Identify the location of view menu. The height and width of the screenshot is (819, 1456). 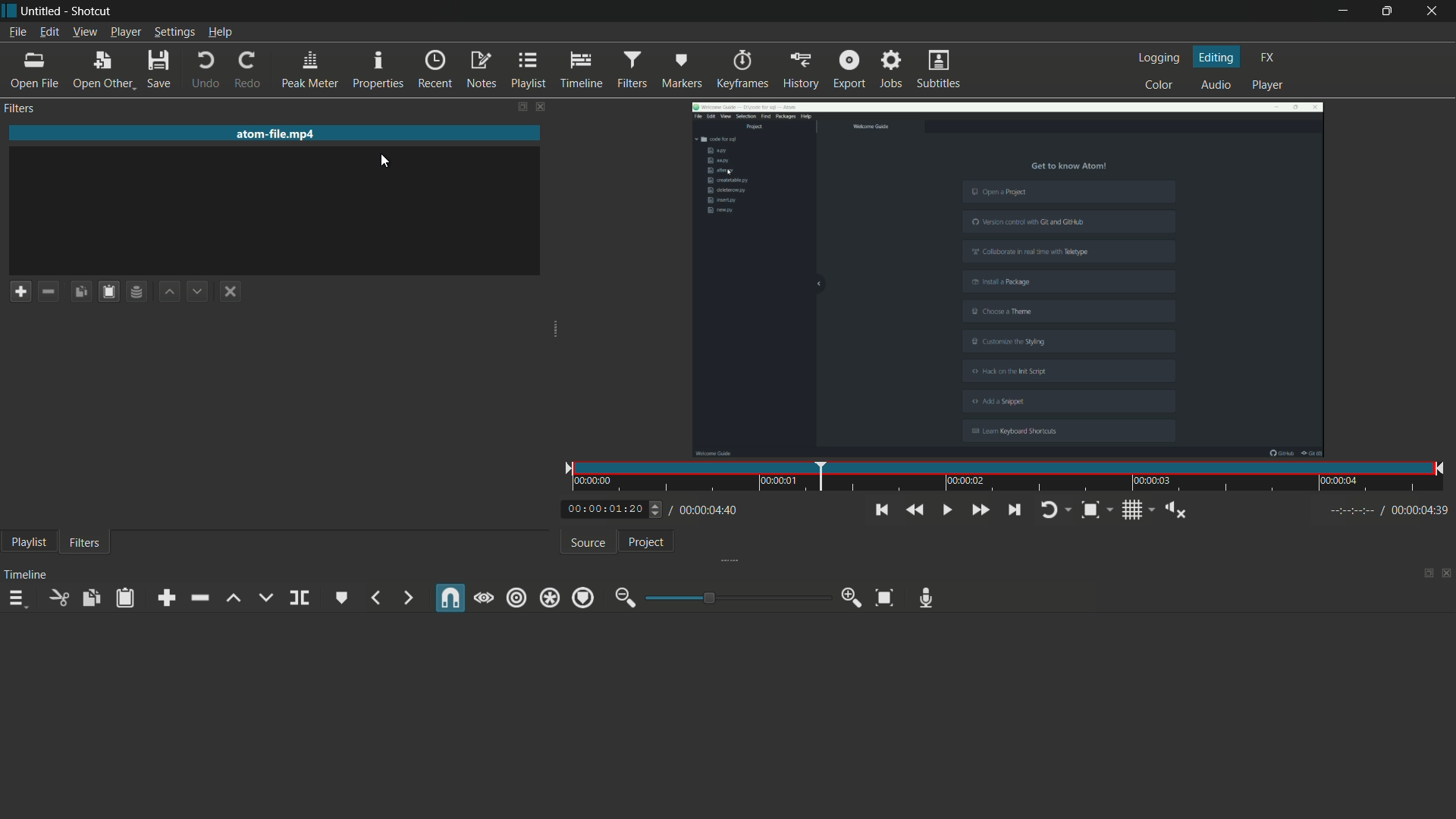
(85, 33).